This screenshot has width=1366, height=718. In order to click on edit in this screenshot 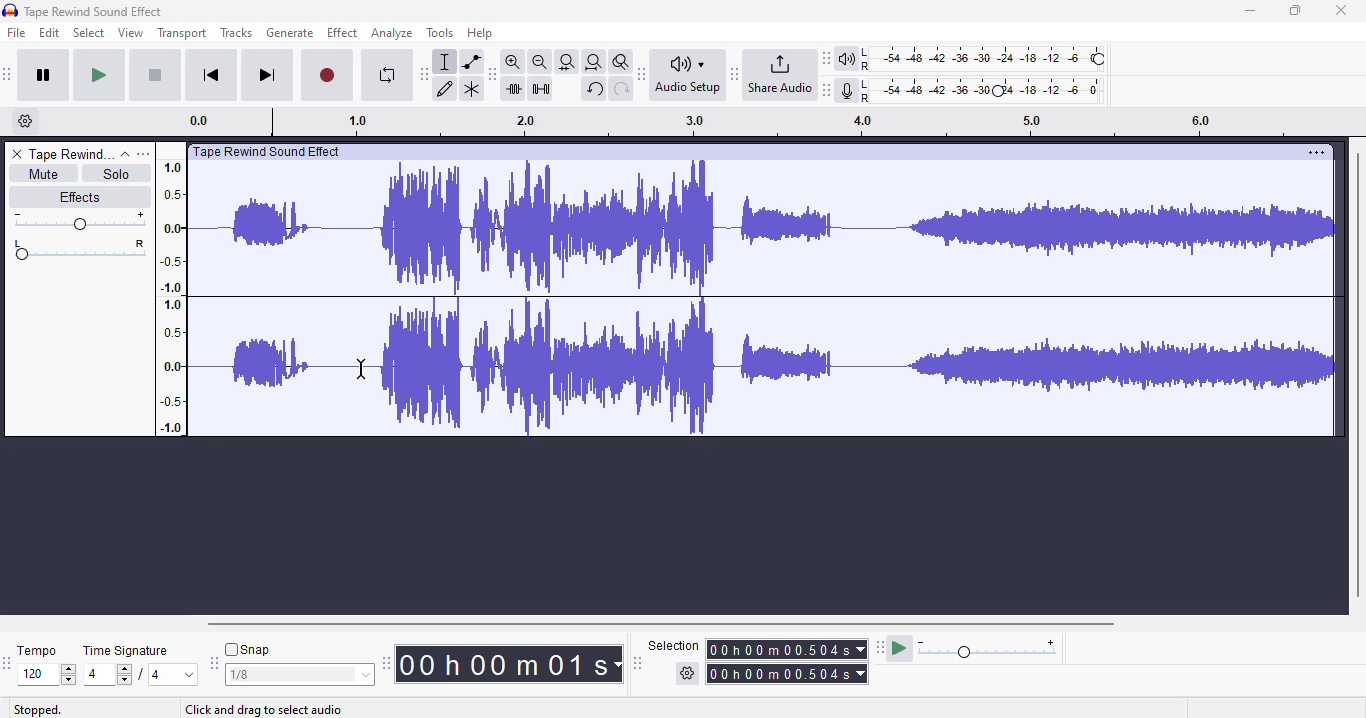, I will do `click(49, 32)`.